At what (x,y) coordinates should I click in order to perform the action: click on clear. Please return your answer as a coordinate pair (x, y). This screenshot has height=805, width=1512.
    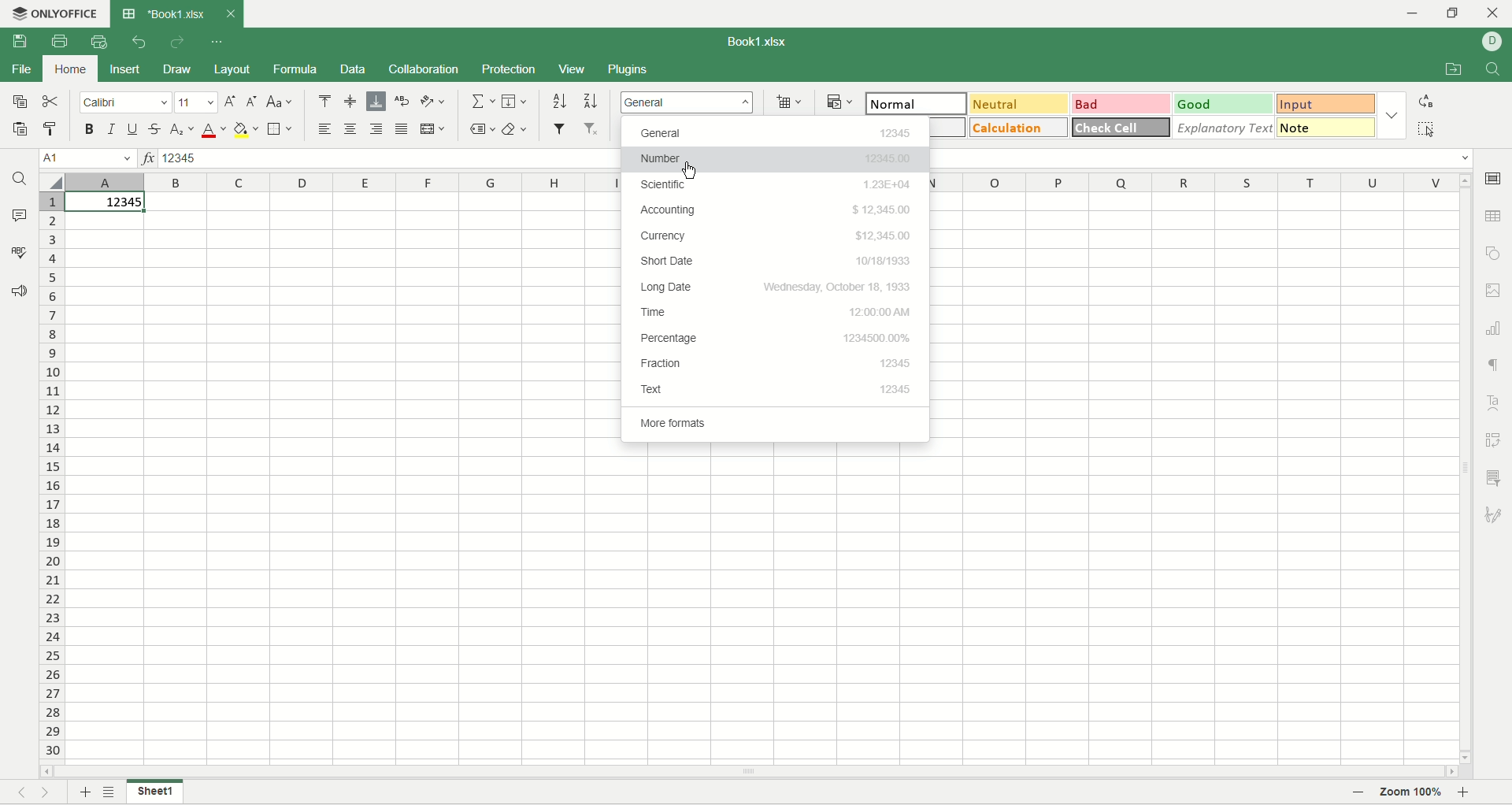
    Looking at the image, I should click on (517, 130).